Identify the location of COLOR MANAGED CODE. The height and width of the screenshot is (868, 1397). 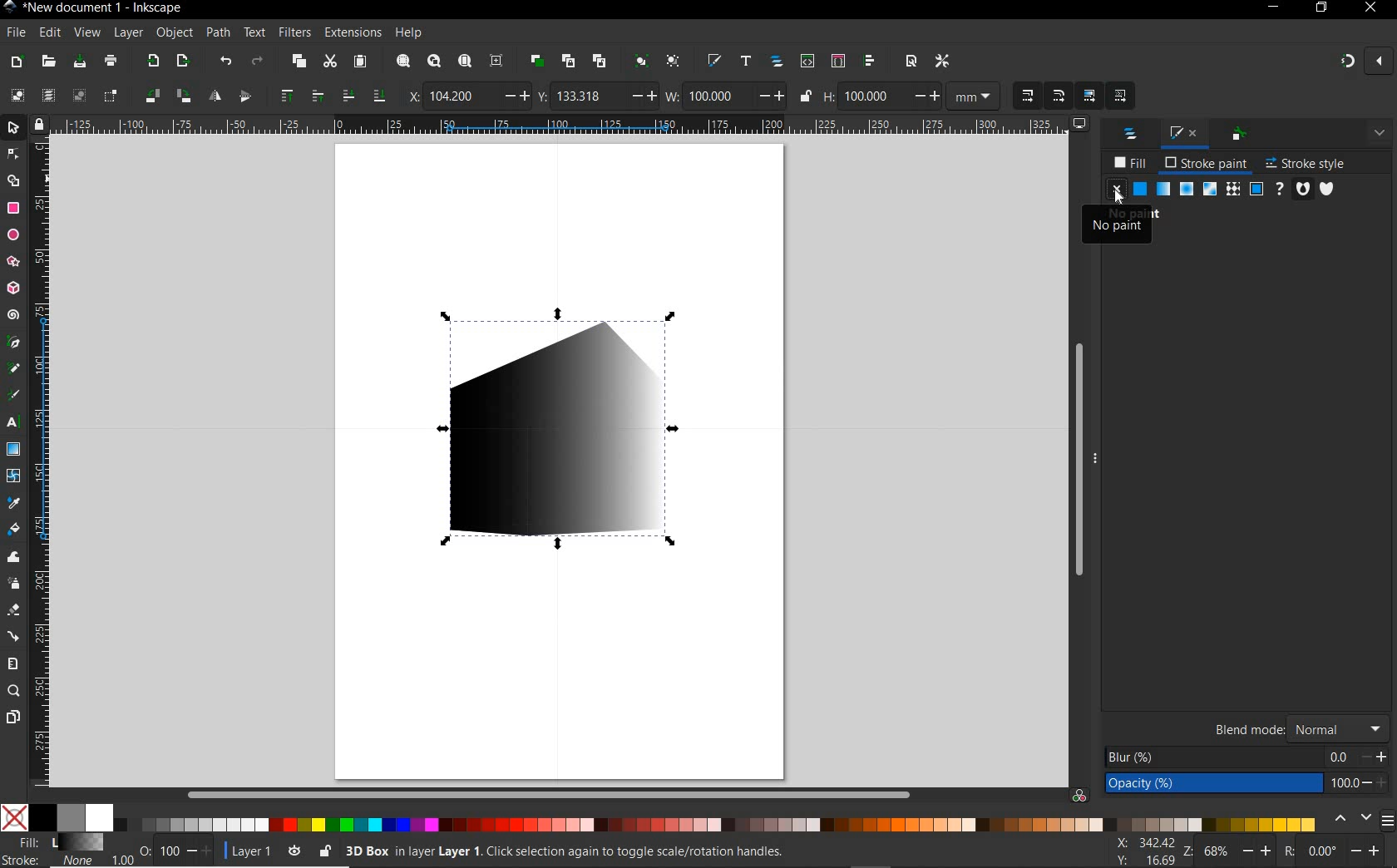
(1080, 794).